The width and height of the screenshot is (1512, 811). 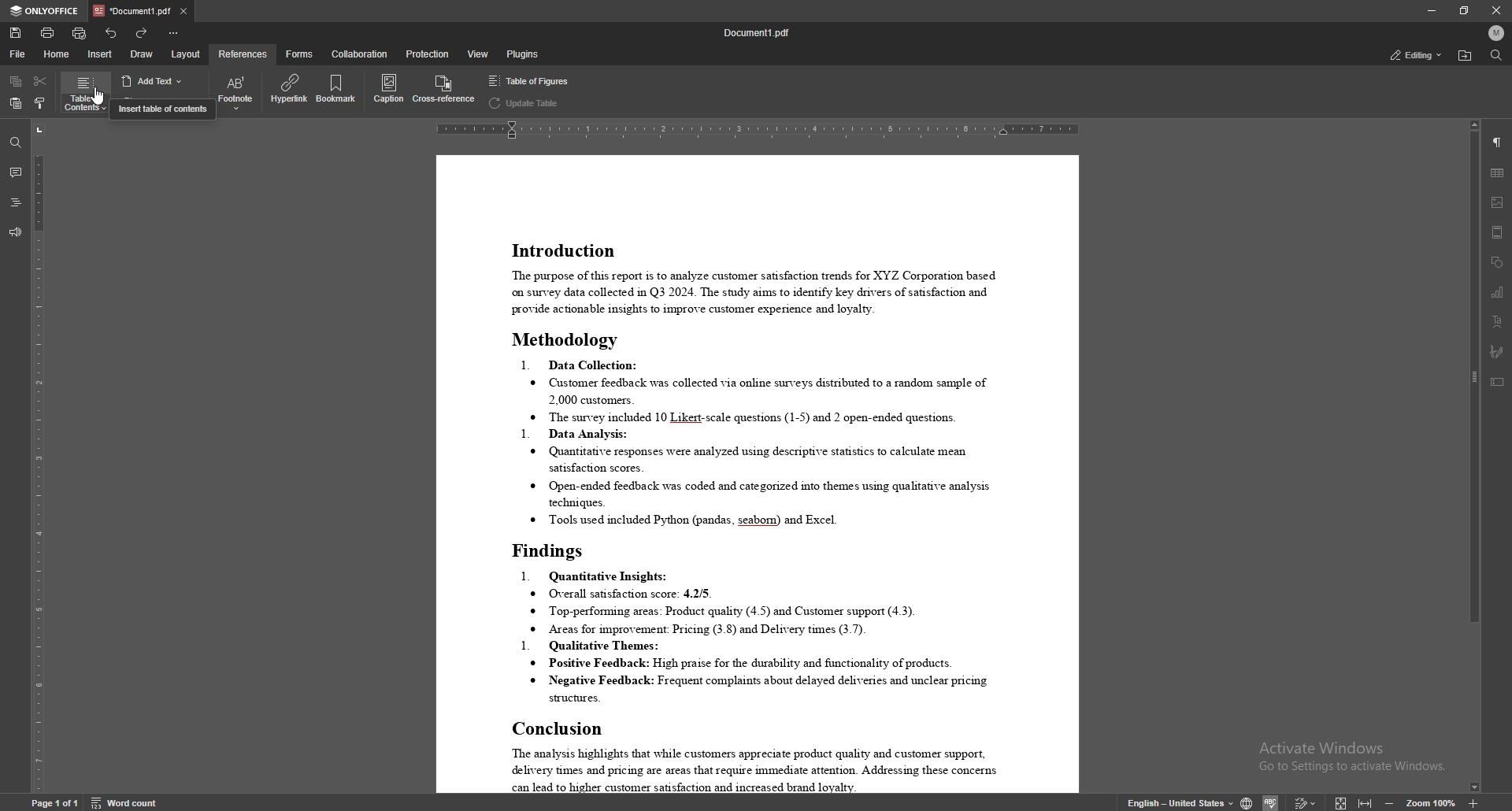 I want to click on caption, so click(x=387, y=89).